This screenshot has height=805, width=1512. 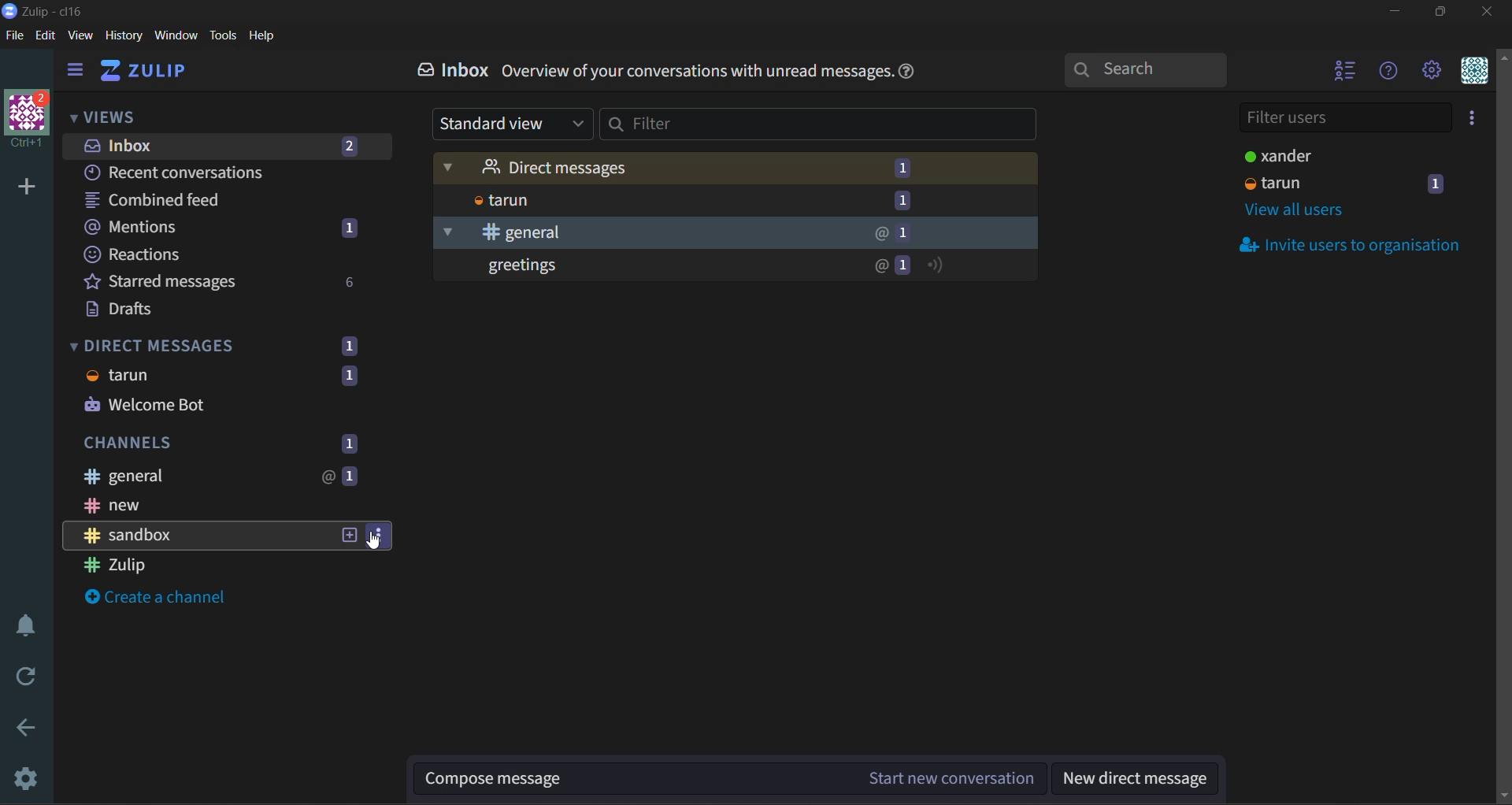 I want to click on new direct message, so click(x=1141, y=779).